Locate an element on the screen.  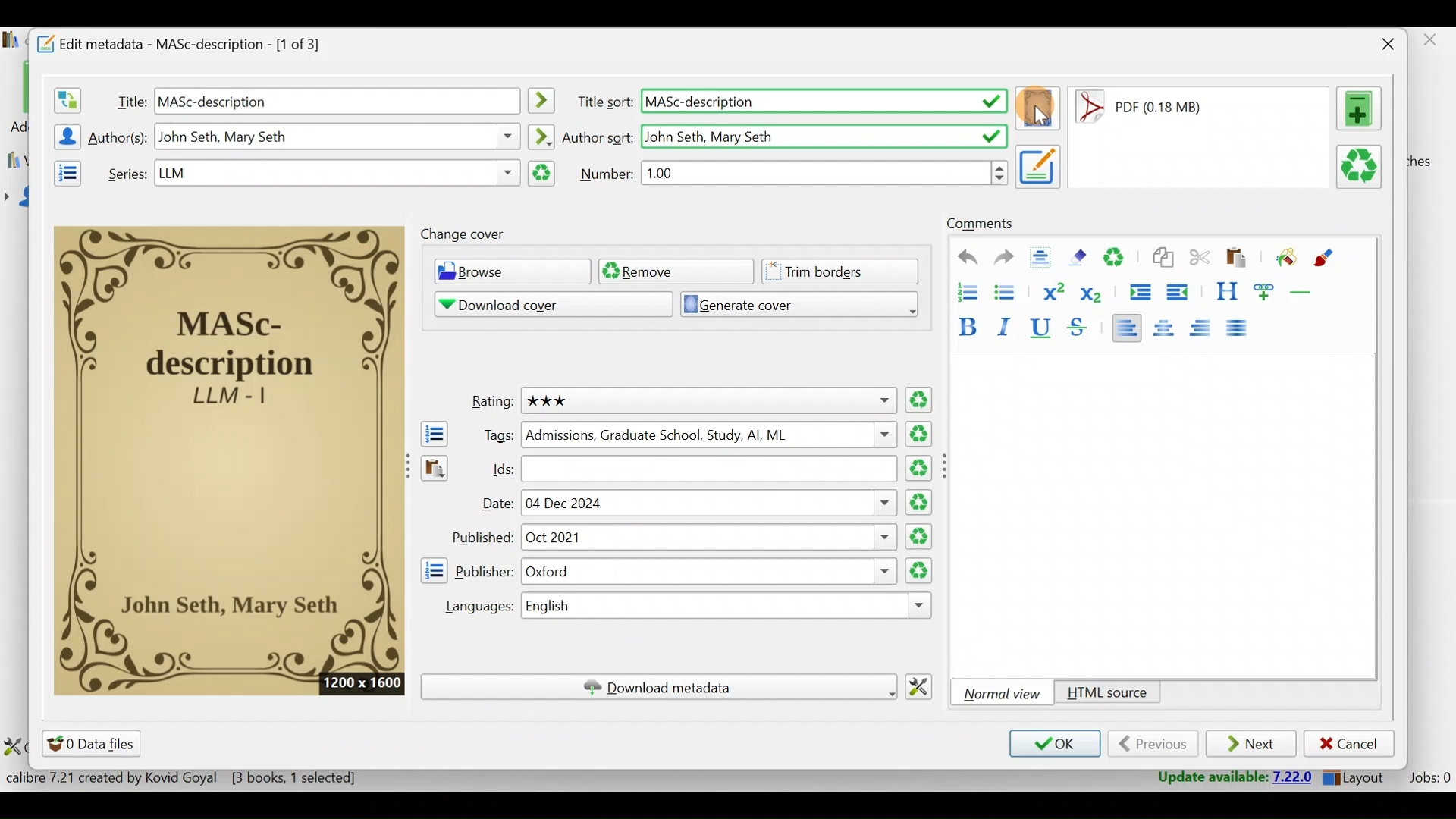
Set the cover for the book from the selected format is located at coordinates (1038, 110).